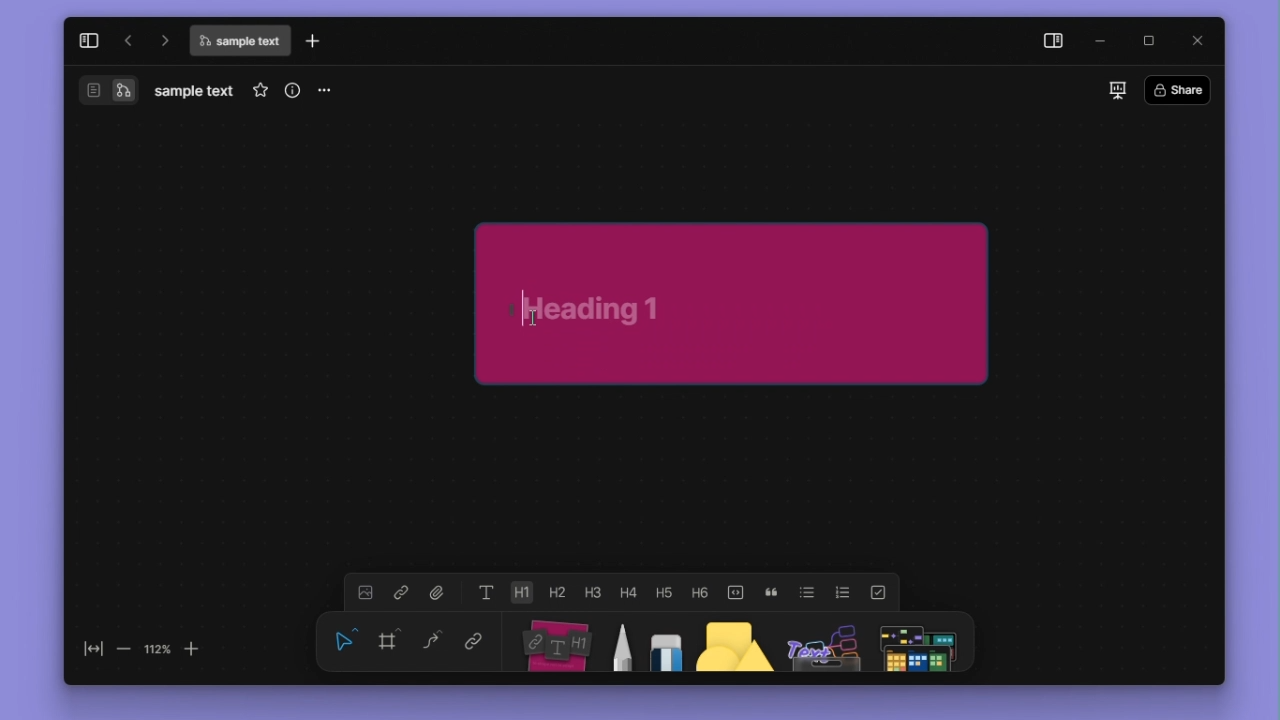  Describe the element at coordinates (94, 90) in the screenshot. I see `switch` at that location.